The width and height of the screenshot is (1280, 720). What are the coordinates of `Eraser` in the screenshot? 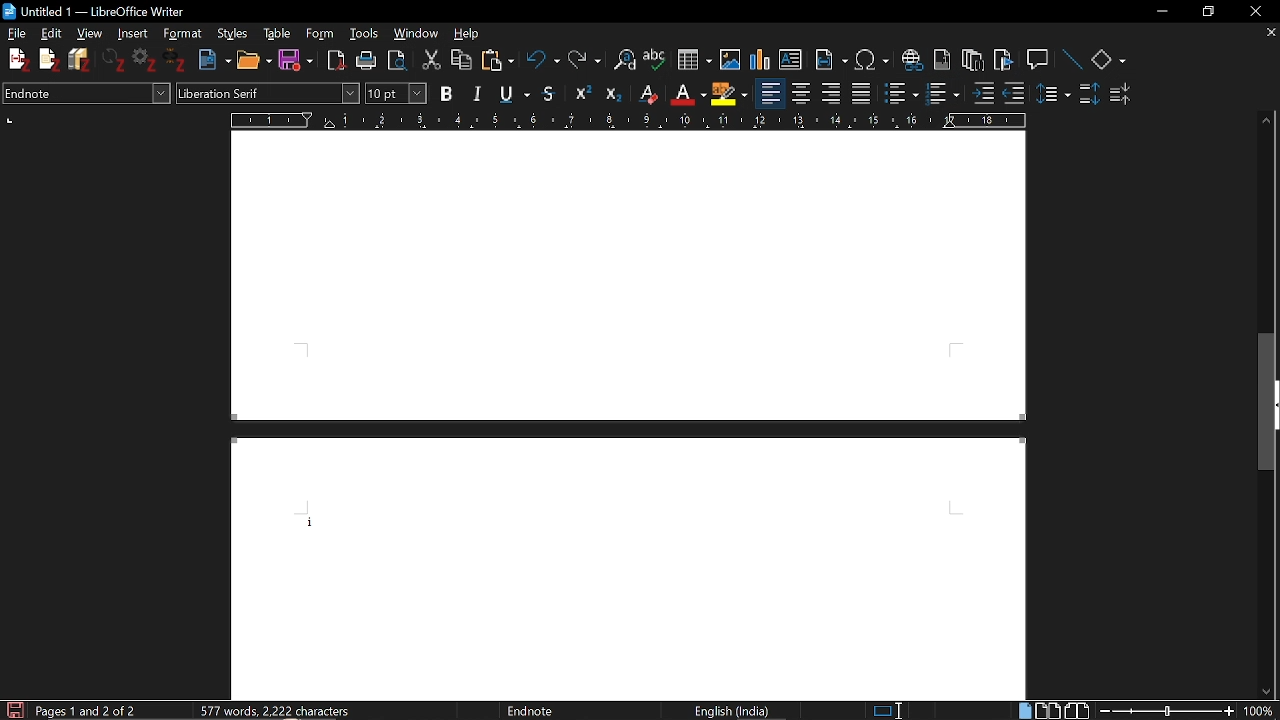 It's located at (650, 95).